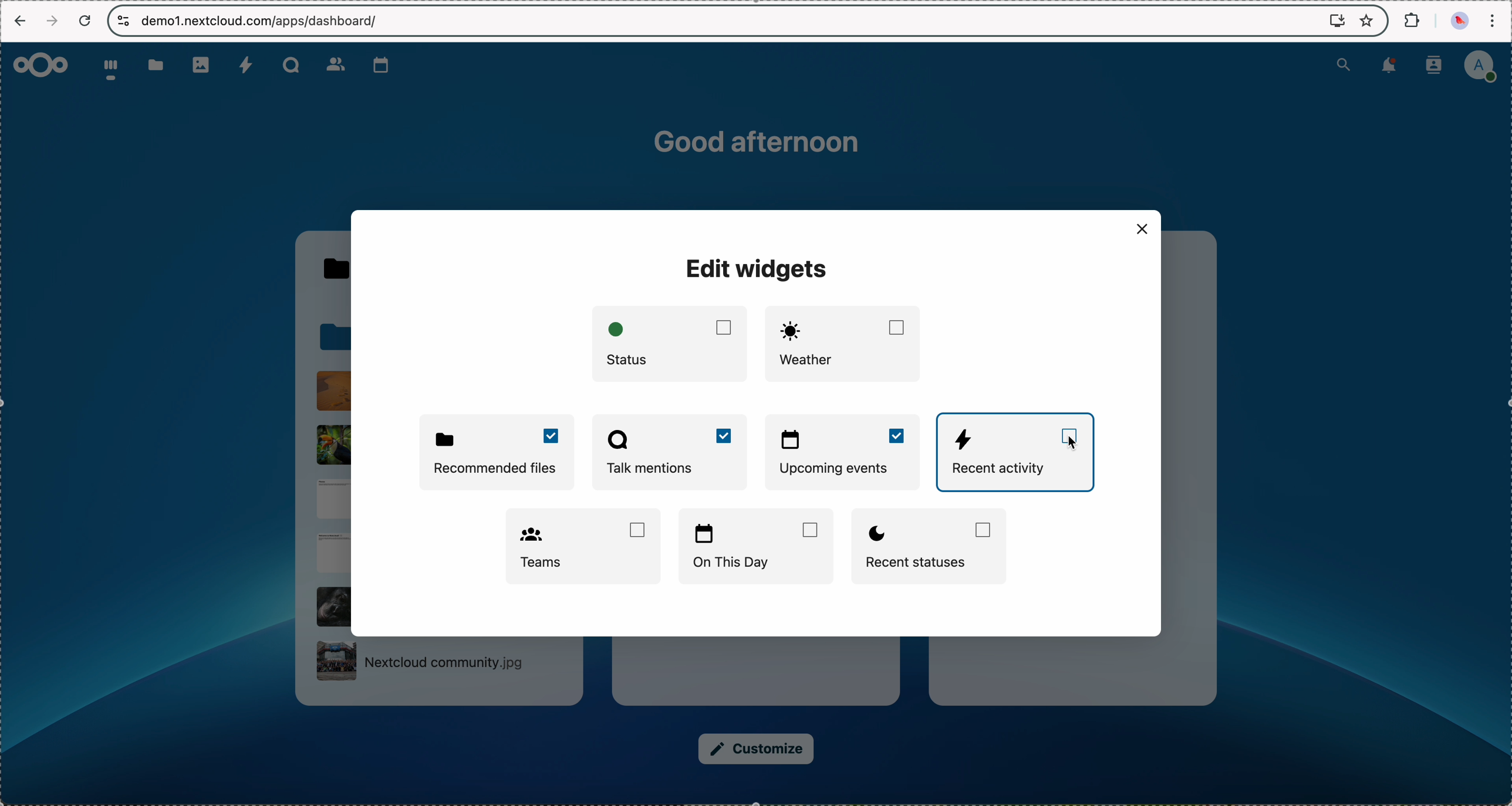 The width and height of the screenshot is (1512, 806). What do you see at coordinates (248, 66) in the screenshot?
I see `activity` at bounding box center [248, 66].